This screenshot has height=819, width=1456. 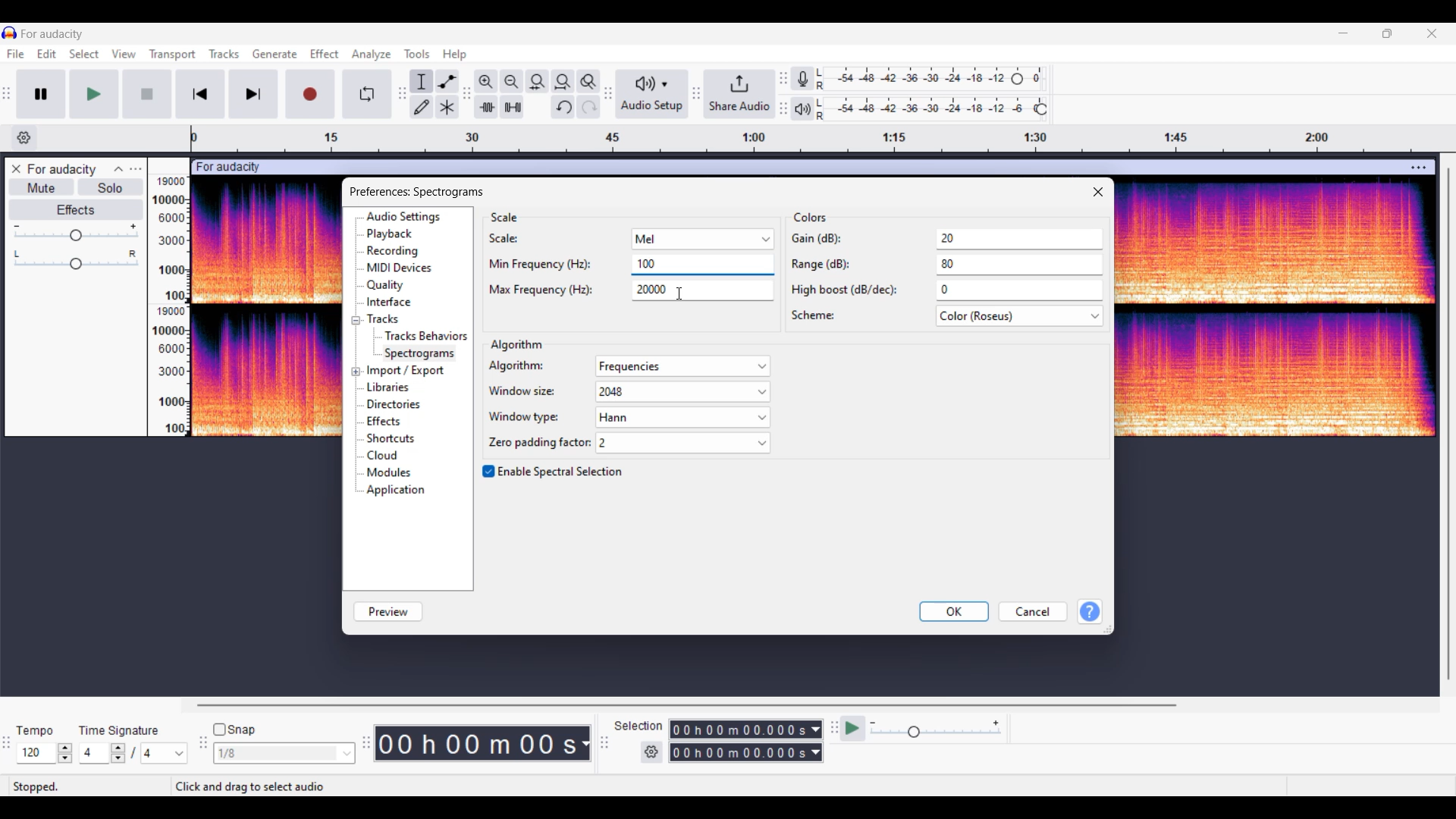 I want to click on zone padding factor, so click(x=625, y=443).